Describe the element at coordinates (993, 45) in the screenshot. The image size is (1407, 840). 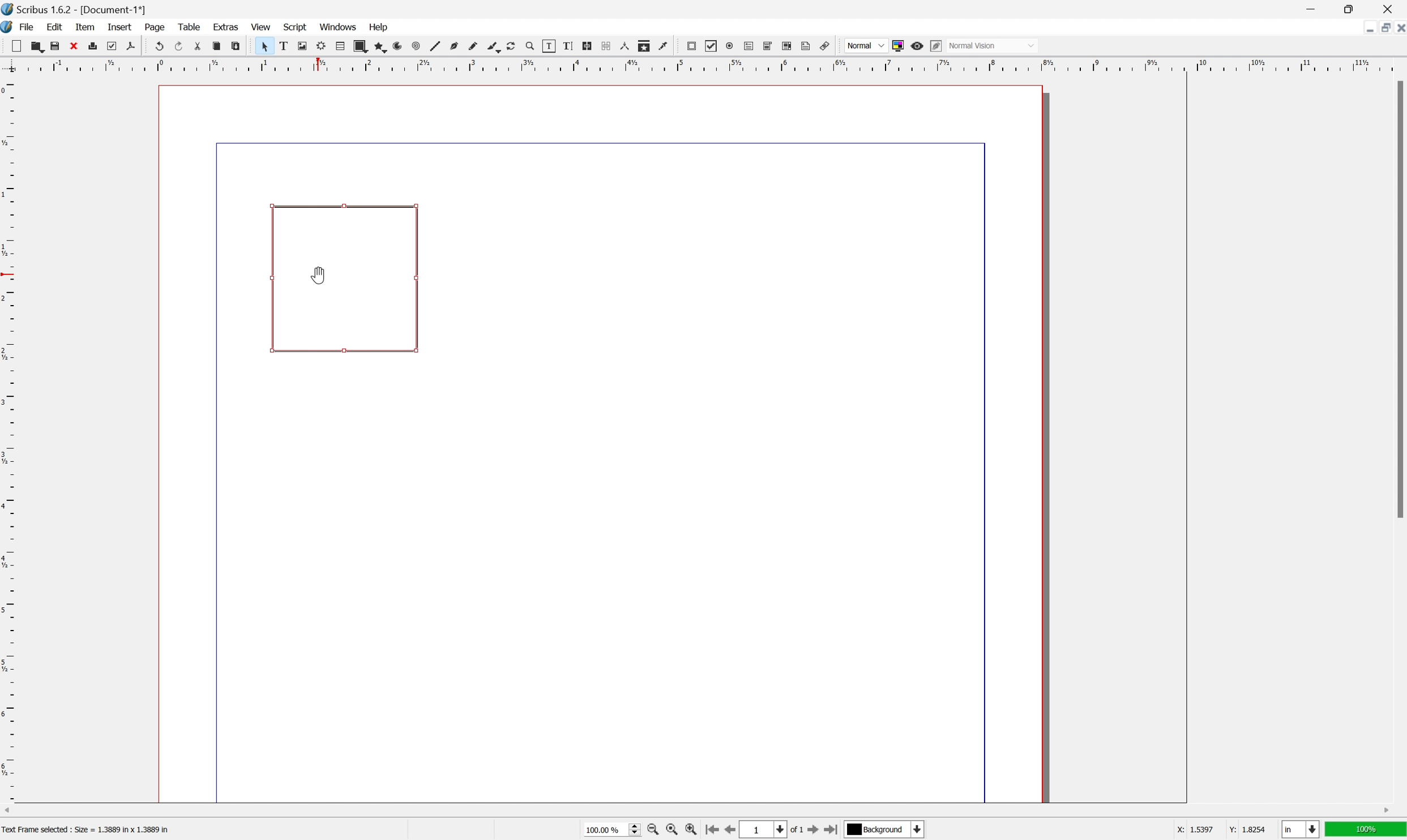
I see `normal vision` at that location.